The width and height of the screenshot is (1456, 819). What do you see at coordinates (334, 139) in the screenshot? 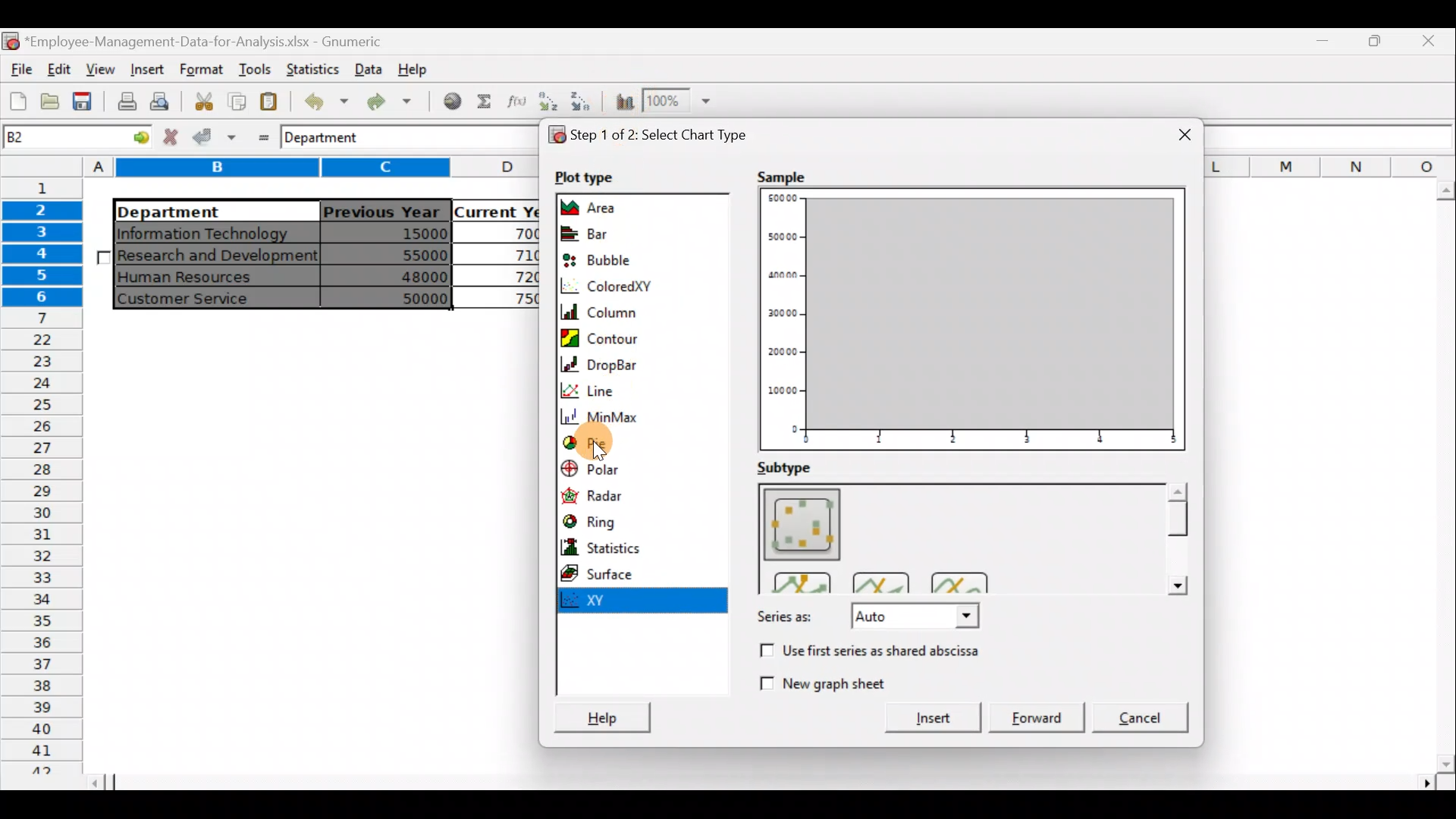
I see `Department` at bounding box center [334, 139].